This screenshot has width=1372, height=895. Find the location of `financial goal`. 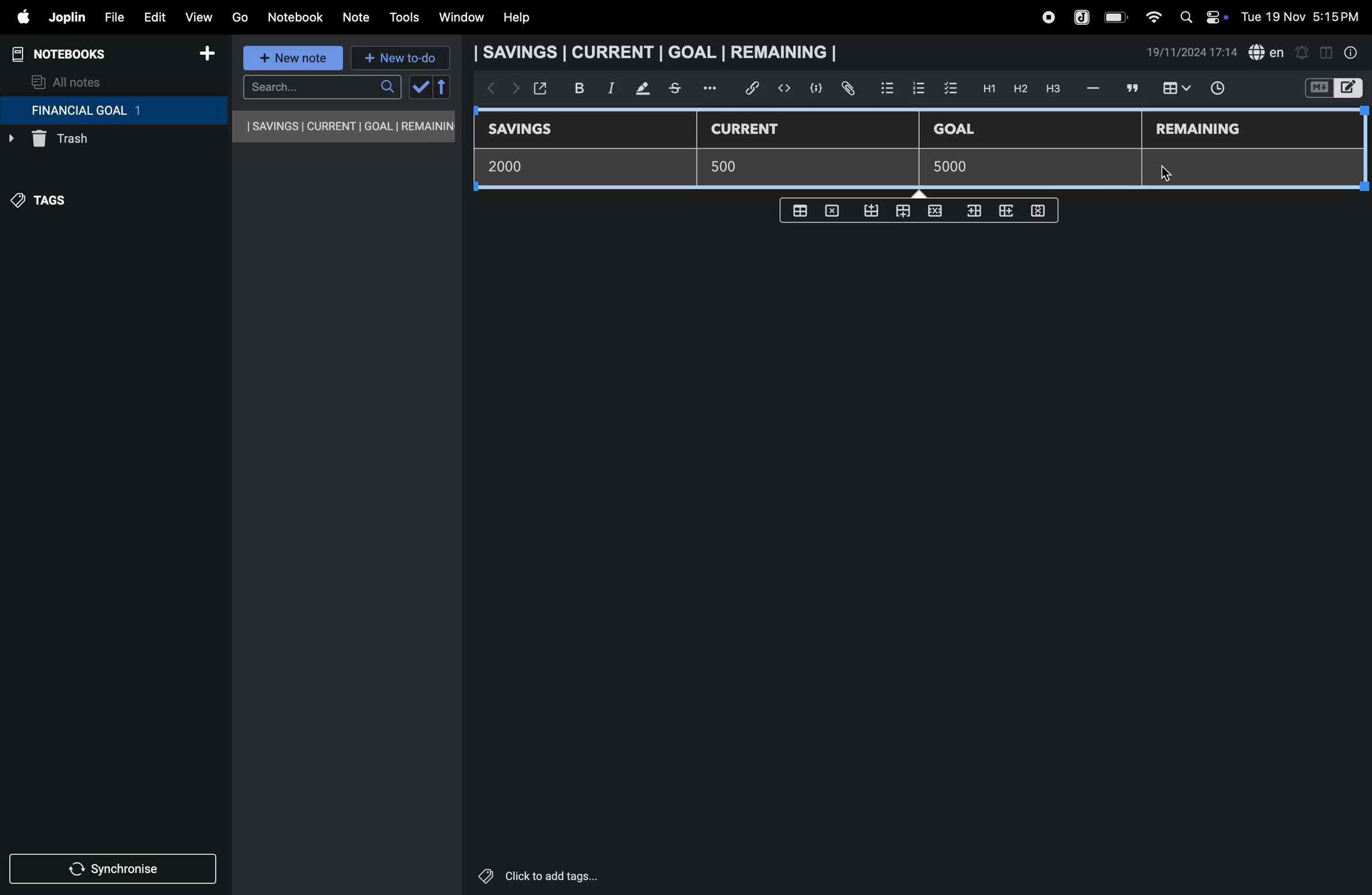

financial goal is located at coordinates (113, 111).